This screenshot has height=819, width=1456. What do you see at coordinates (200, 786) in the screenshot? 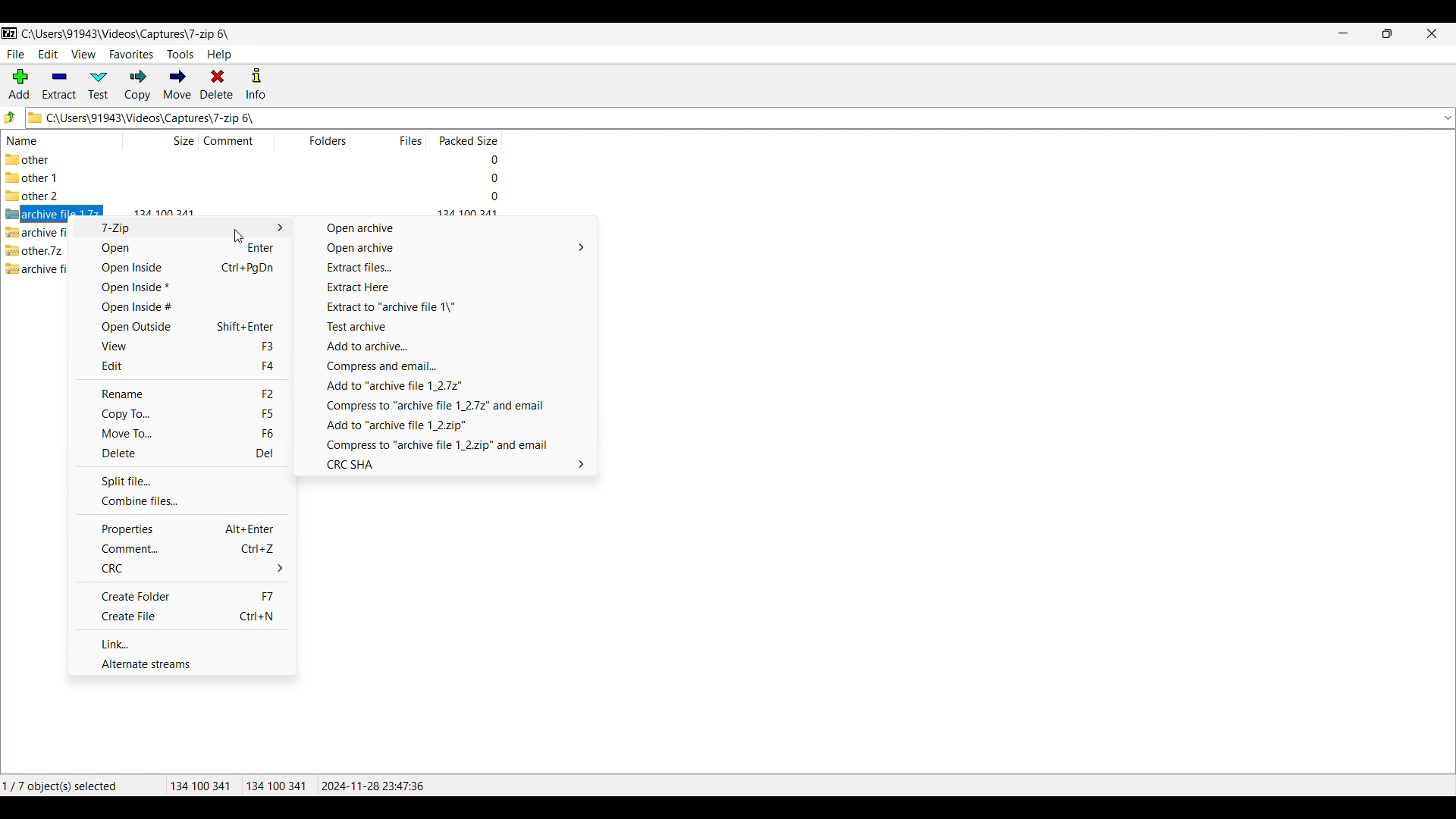
I see `134100 341` at bounding box center [200, 786].